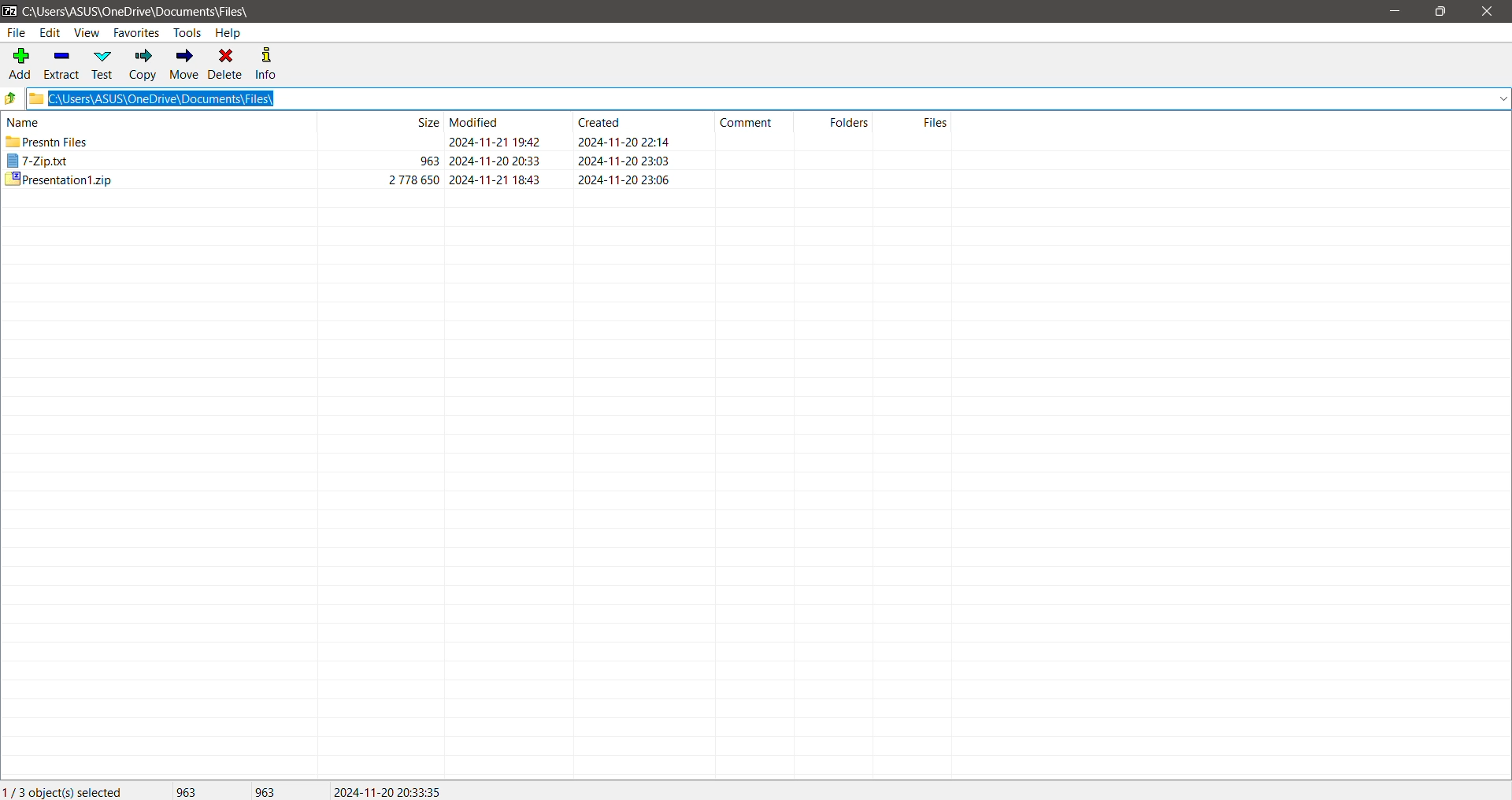 The height and width of the screenshot is (800, 1512). I want to click on modified date & time, so click(495, 180).